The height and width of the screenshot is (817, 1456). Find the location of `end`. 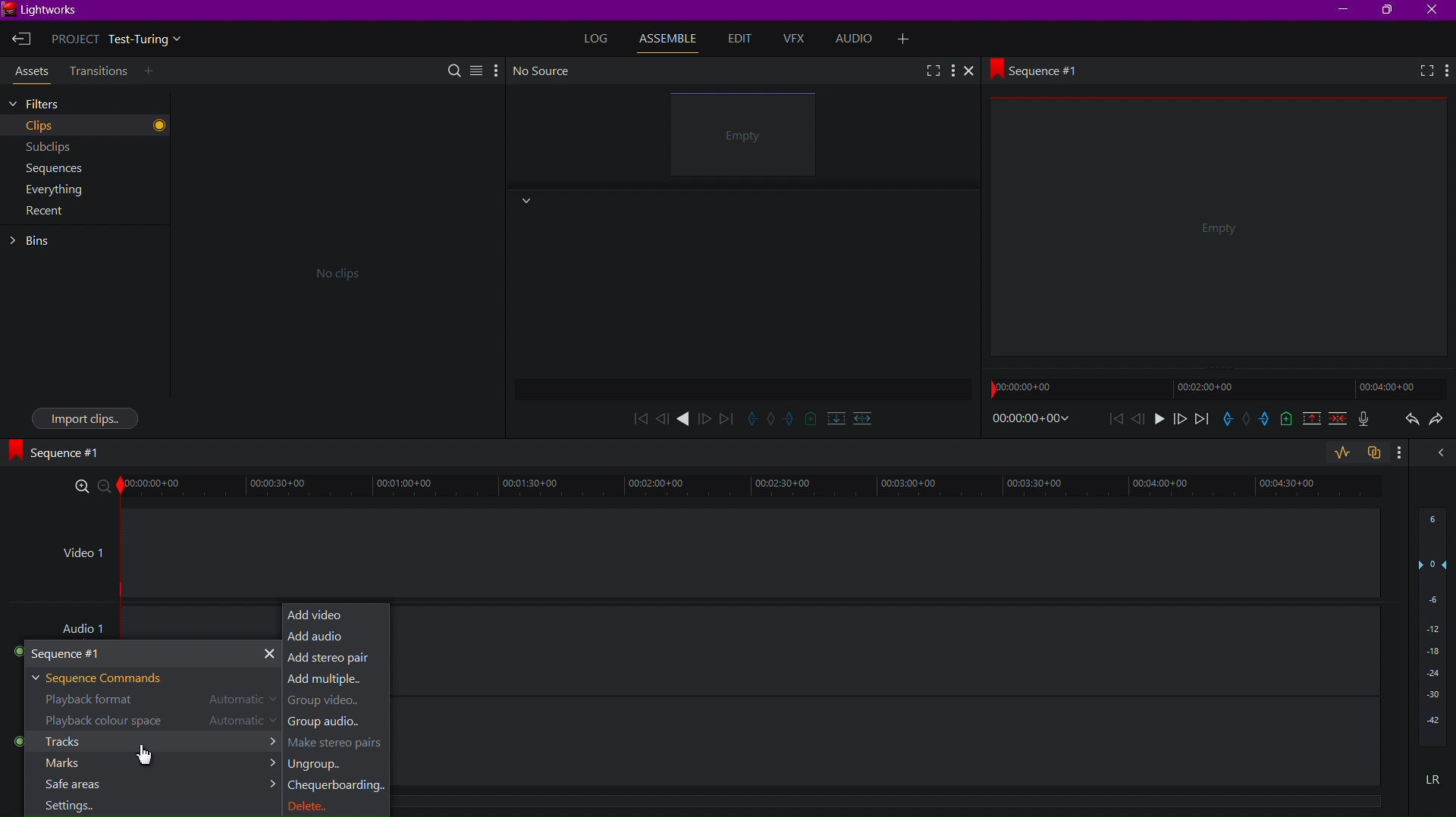

end is located at coordinates (1201, 421).